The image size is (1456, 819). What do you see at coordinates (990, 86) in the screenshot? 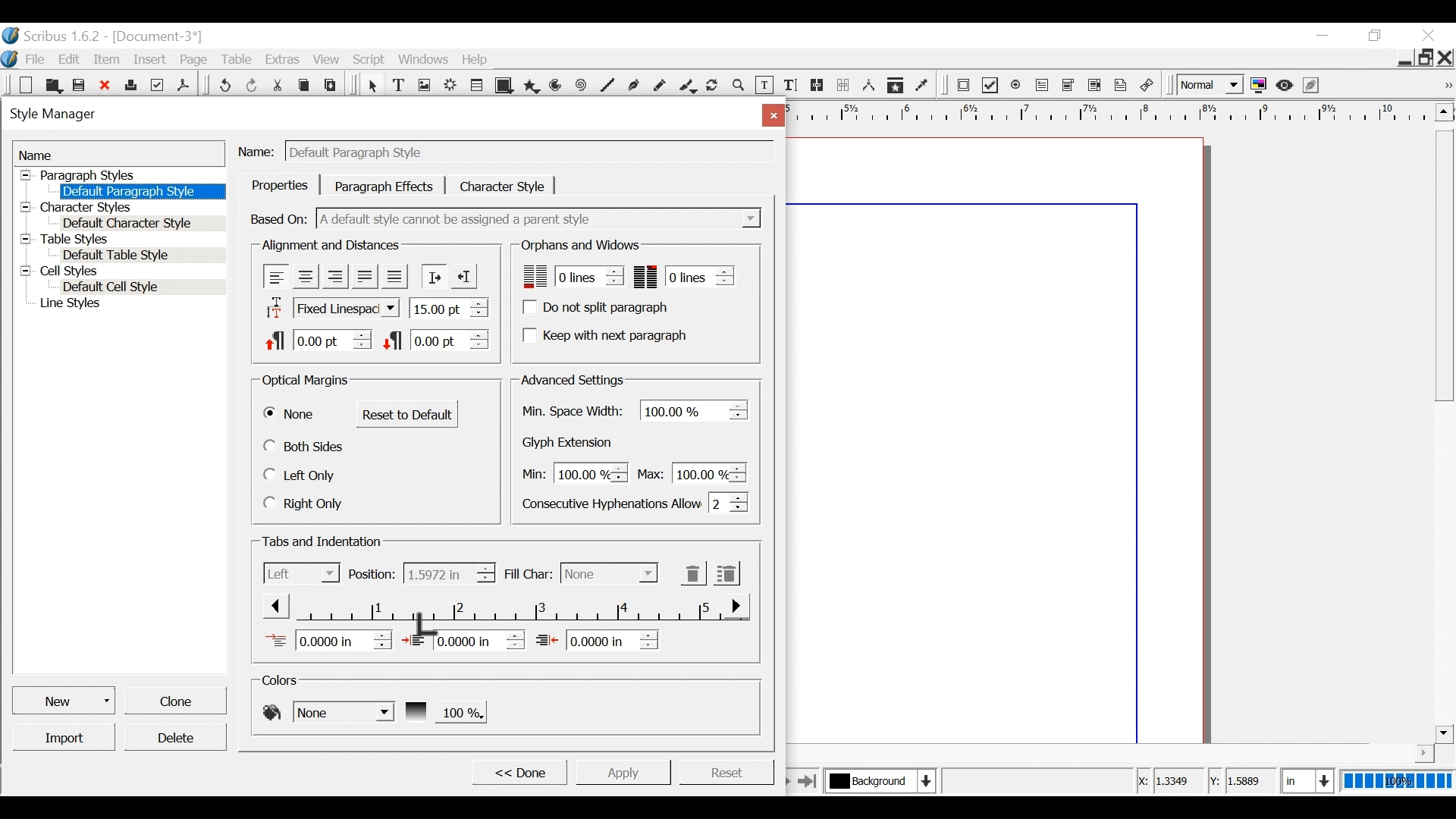
I see `PDF Checkbox` at bounding box center [990, 86].